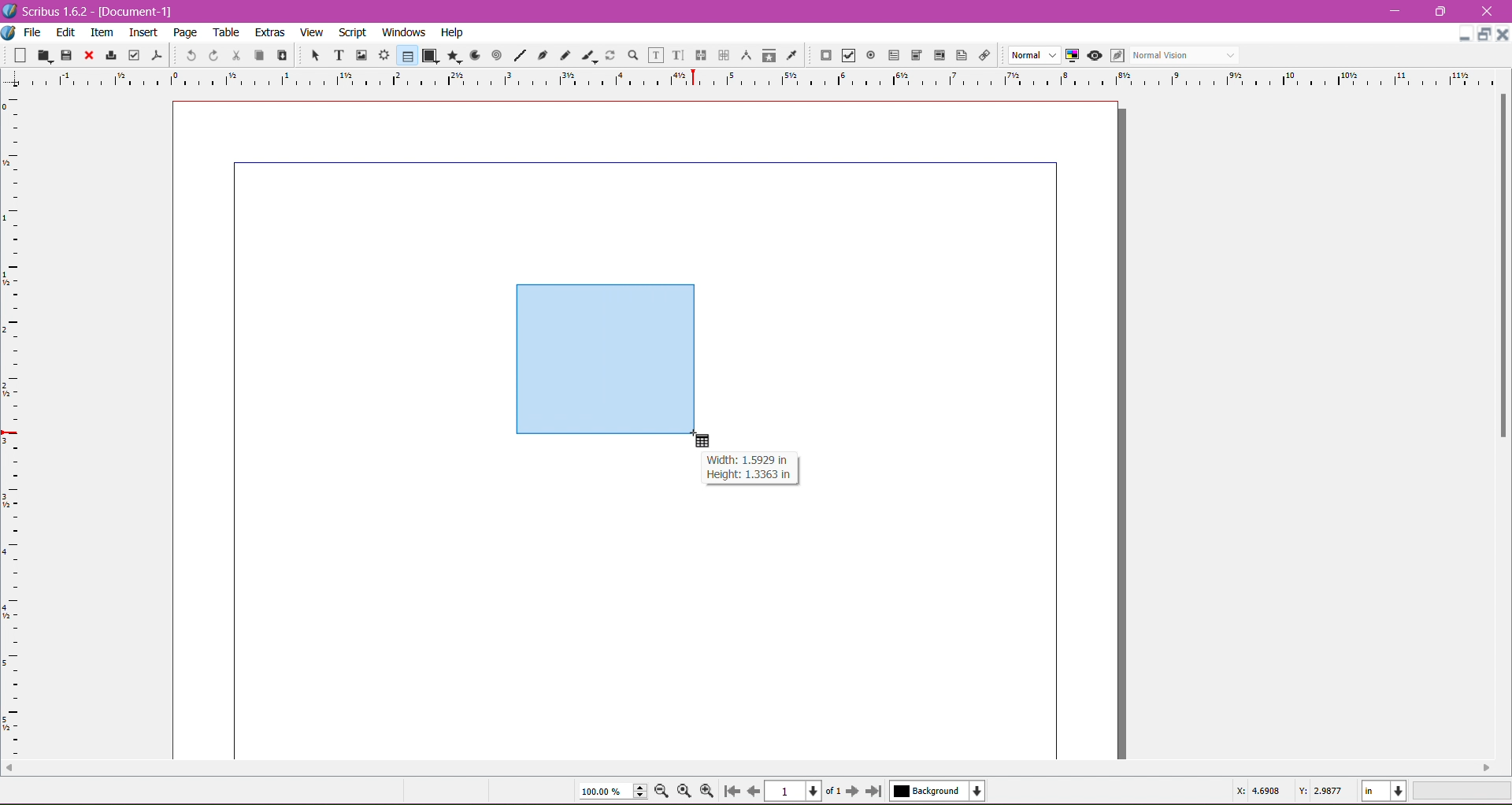 The height and width of the screenshot is (805, 1512). Describe the element at coordinates (143, 30) in the screenshot. I see `Insert` at that location.